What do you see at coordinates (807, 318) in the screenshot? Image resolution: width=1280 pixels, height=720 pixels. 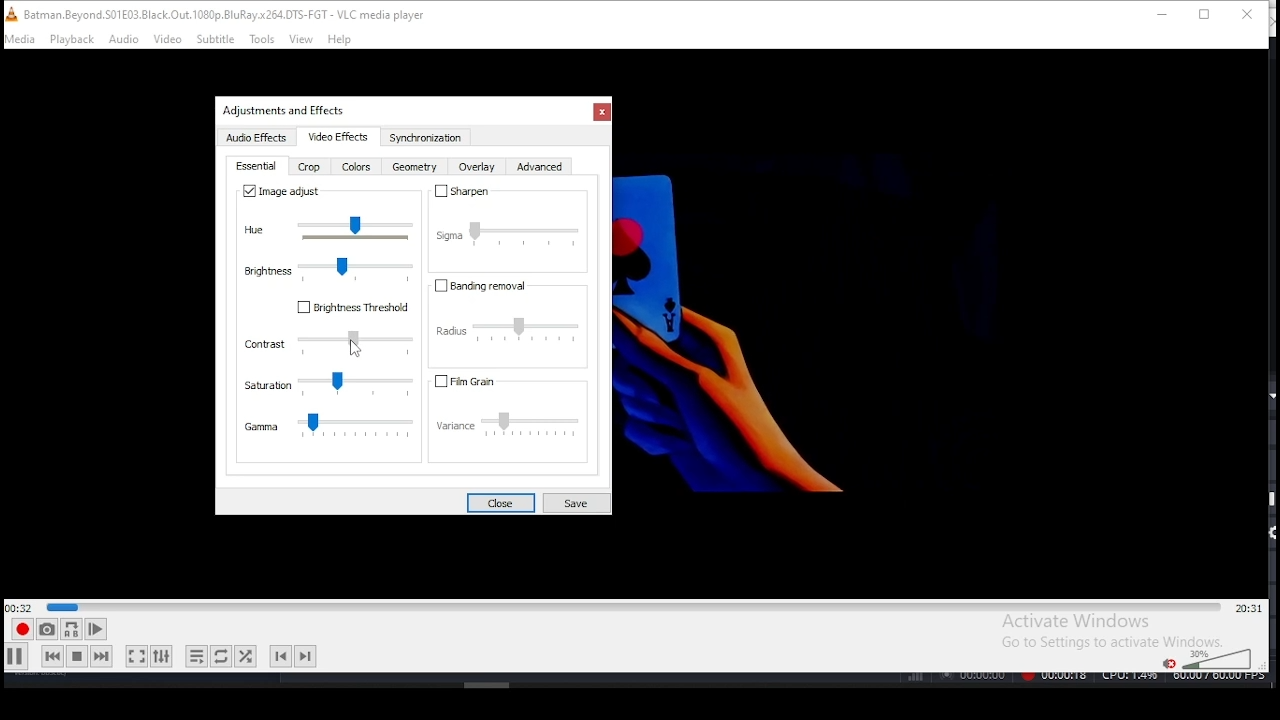 I see `` at bounding box center [807, 318].